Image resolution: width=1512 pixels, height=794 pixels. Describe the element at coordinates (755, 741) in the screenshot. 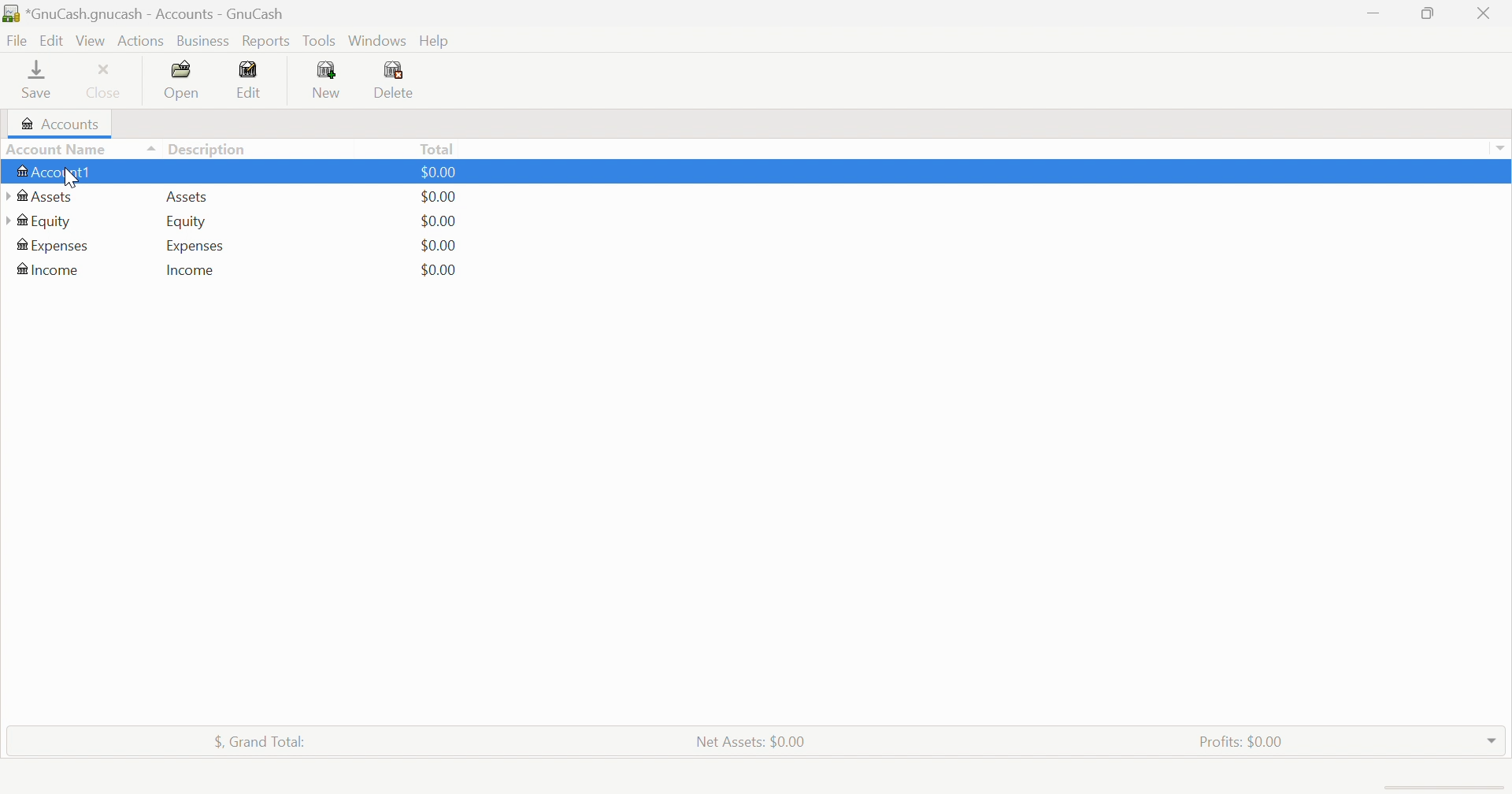

I see `Net Assets: $0.00` at that location.